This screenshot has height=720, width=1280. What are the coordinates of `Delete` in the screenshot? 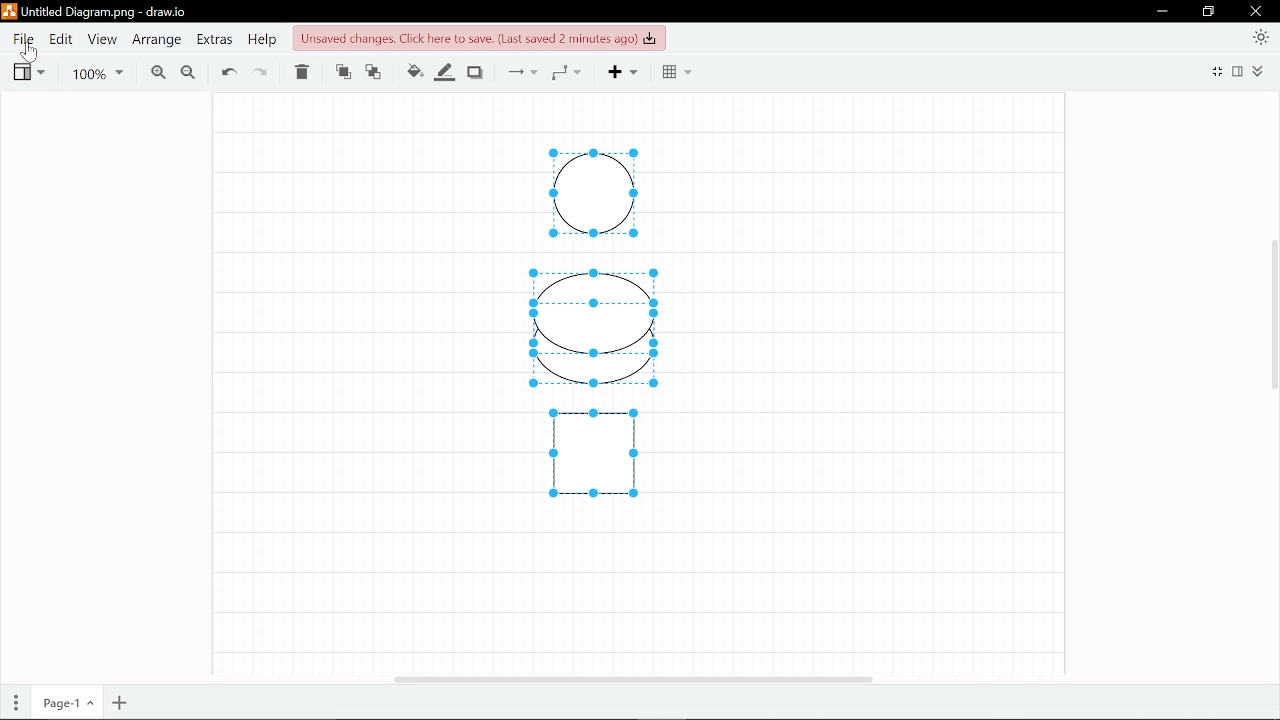 It's located at (300, 73).